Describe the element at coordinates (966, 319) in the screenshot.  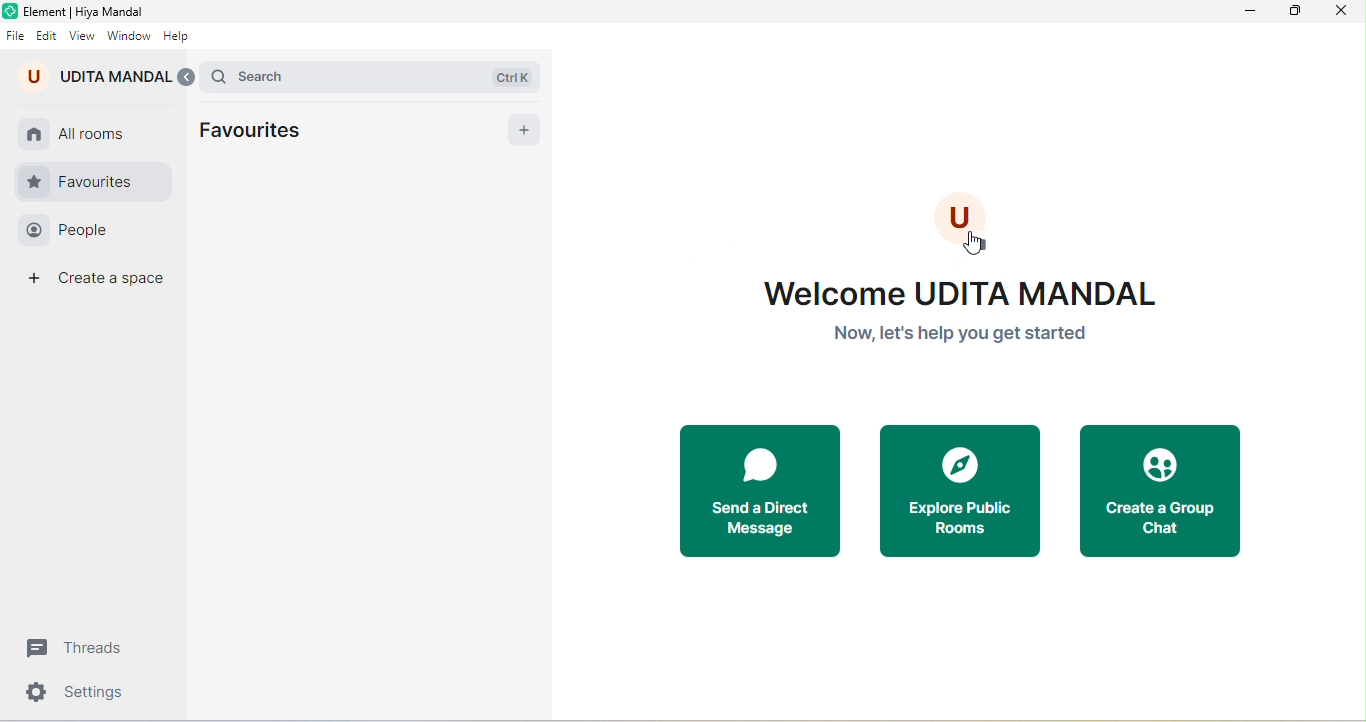
I see `welcome udita mandal` at that location.